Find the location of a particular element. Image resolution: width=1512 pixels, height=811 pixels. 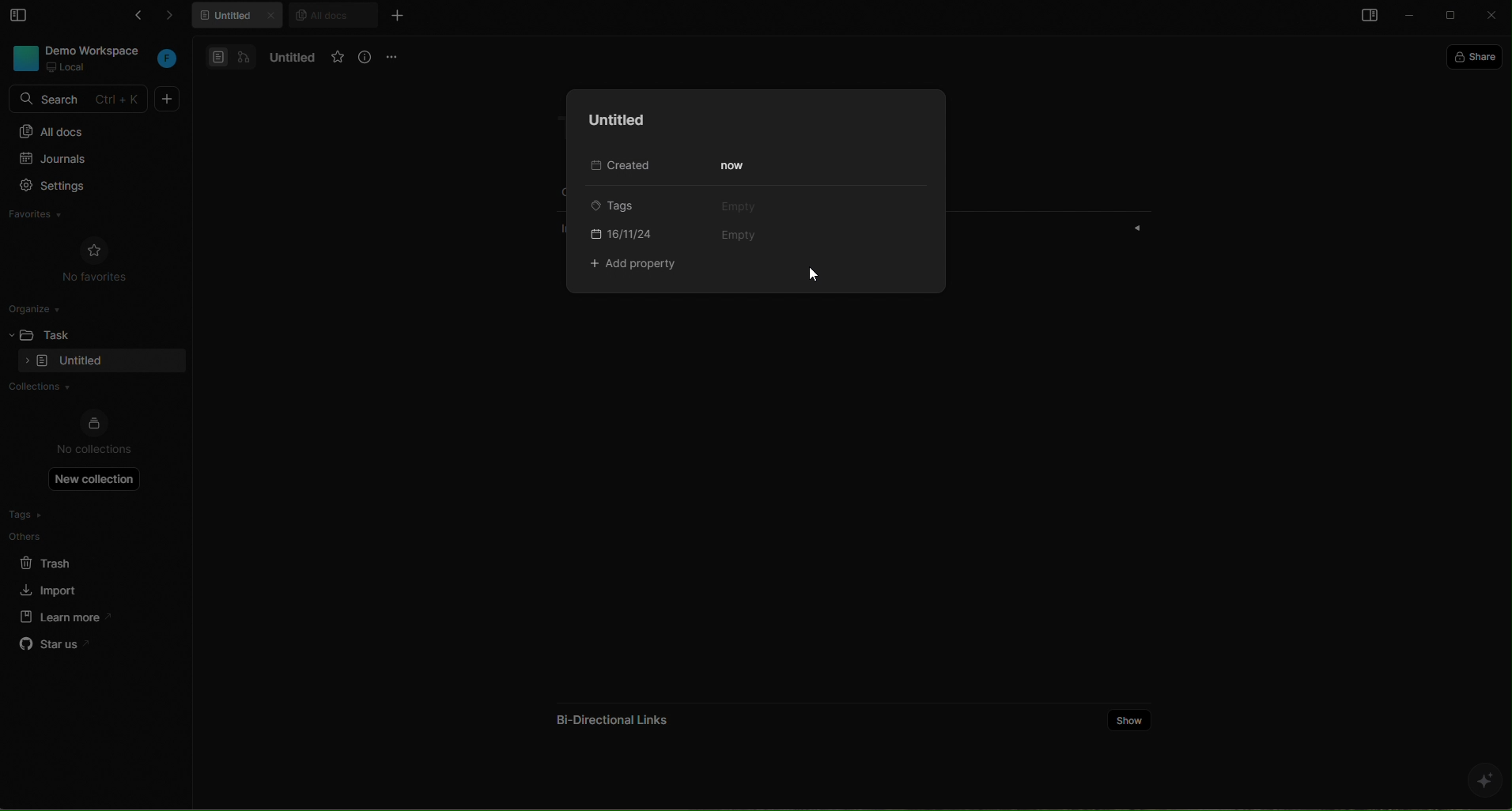

docs is located at coordinates (231, 56).